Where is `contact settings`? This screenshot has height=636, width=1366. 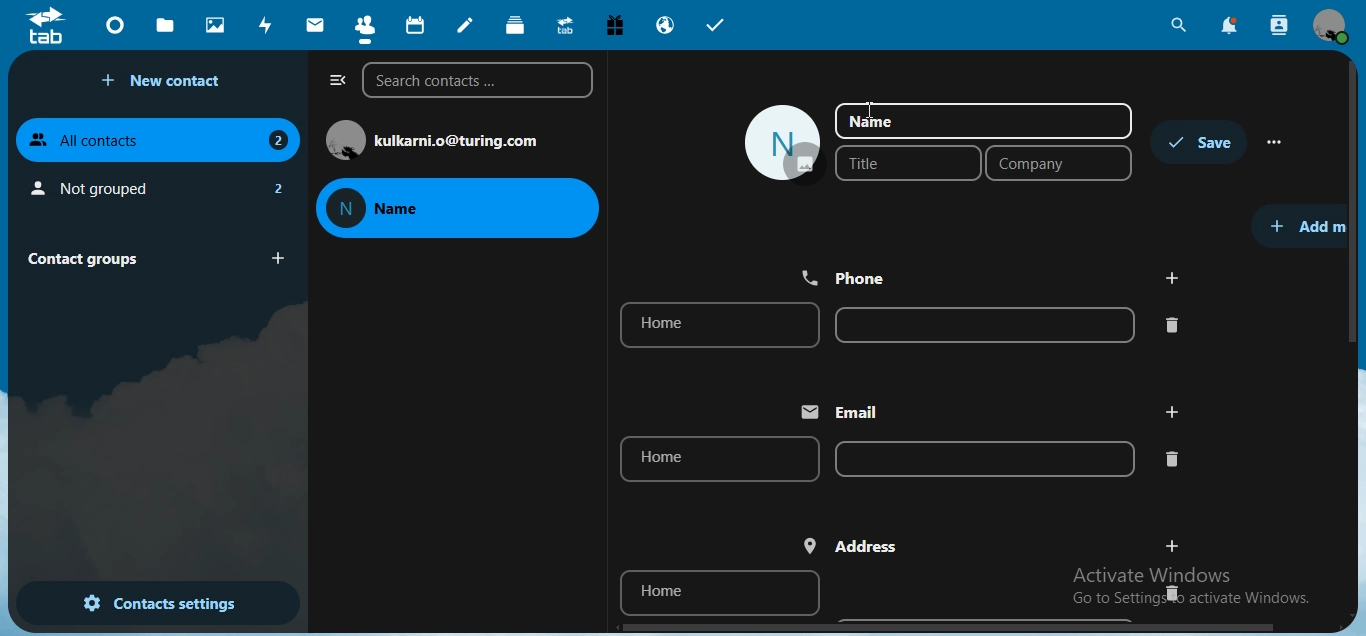
contact settings is located at coordinates (161, 601).